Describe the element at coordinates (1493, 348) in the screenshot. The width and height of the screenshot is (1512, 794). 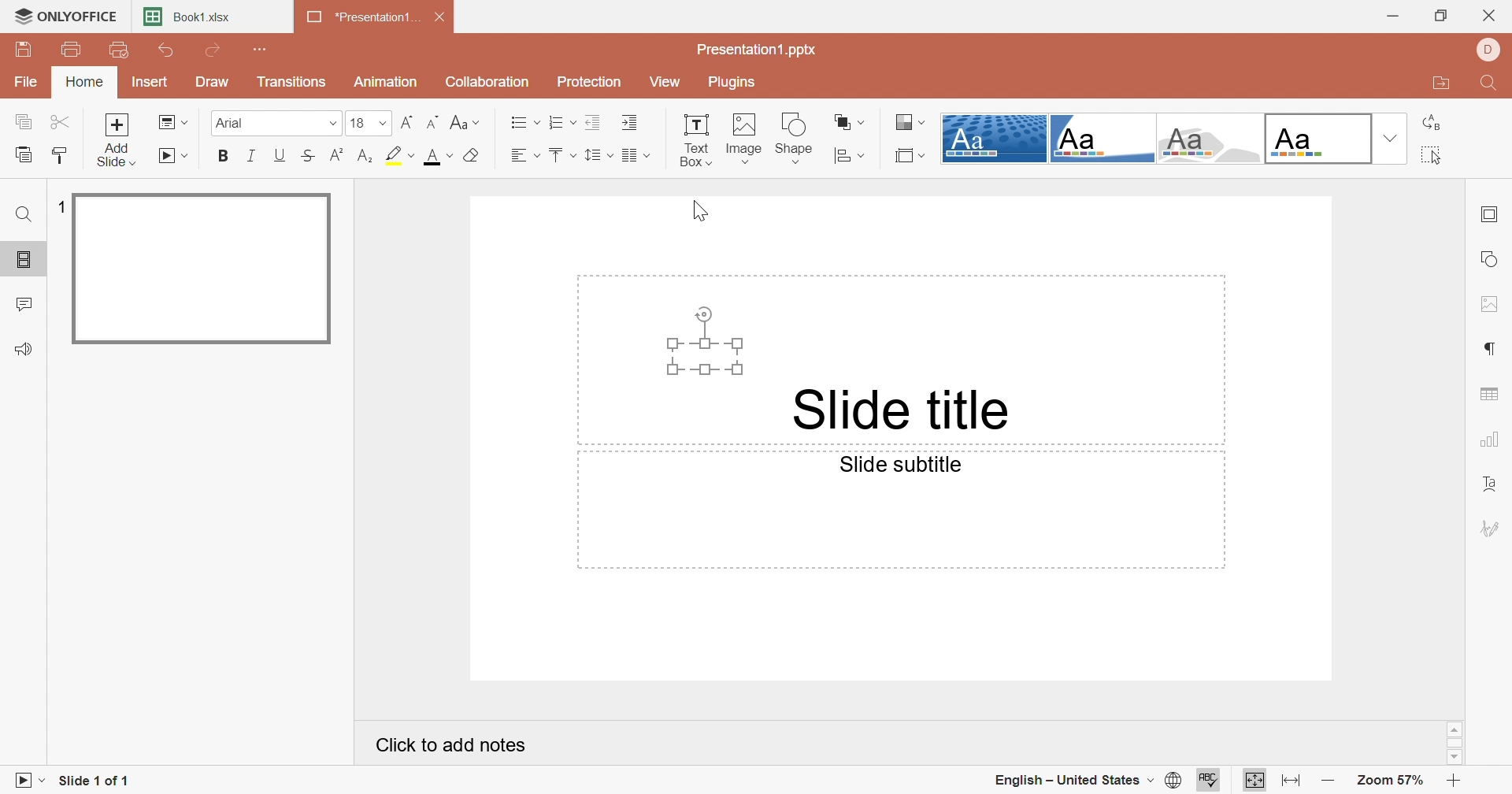
I see `Paragraph settings` at that location.